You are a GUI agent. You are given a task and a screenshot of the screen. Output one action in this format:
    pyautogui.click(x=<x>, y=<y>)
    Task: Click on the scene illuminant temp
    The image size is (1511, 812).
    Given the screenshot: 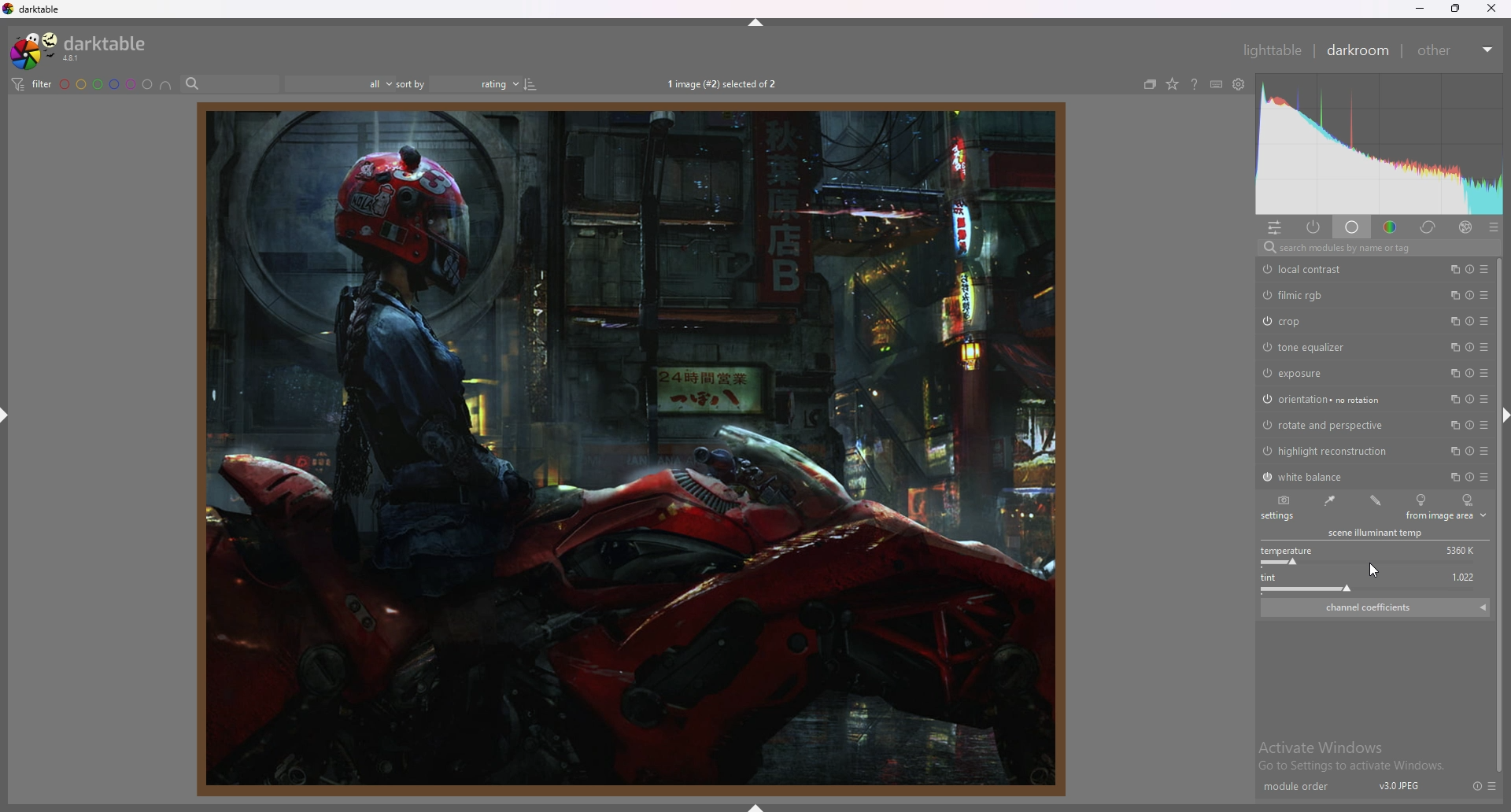 What is the action you would take?
    pyautogui.click(x=1376, y=533)
    